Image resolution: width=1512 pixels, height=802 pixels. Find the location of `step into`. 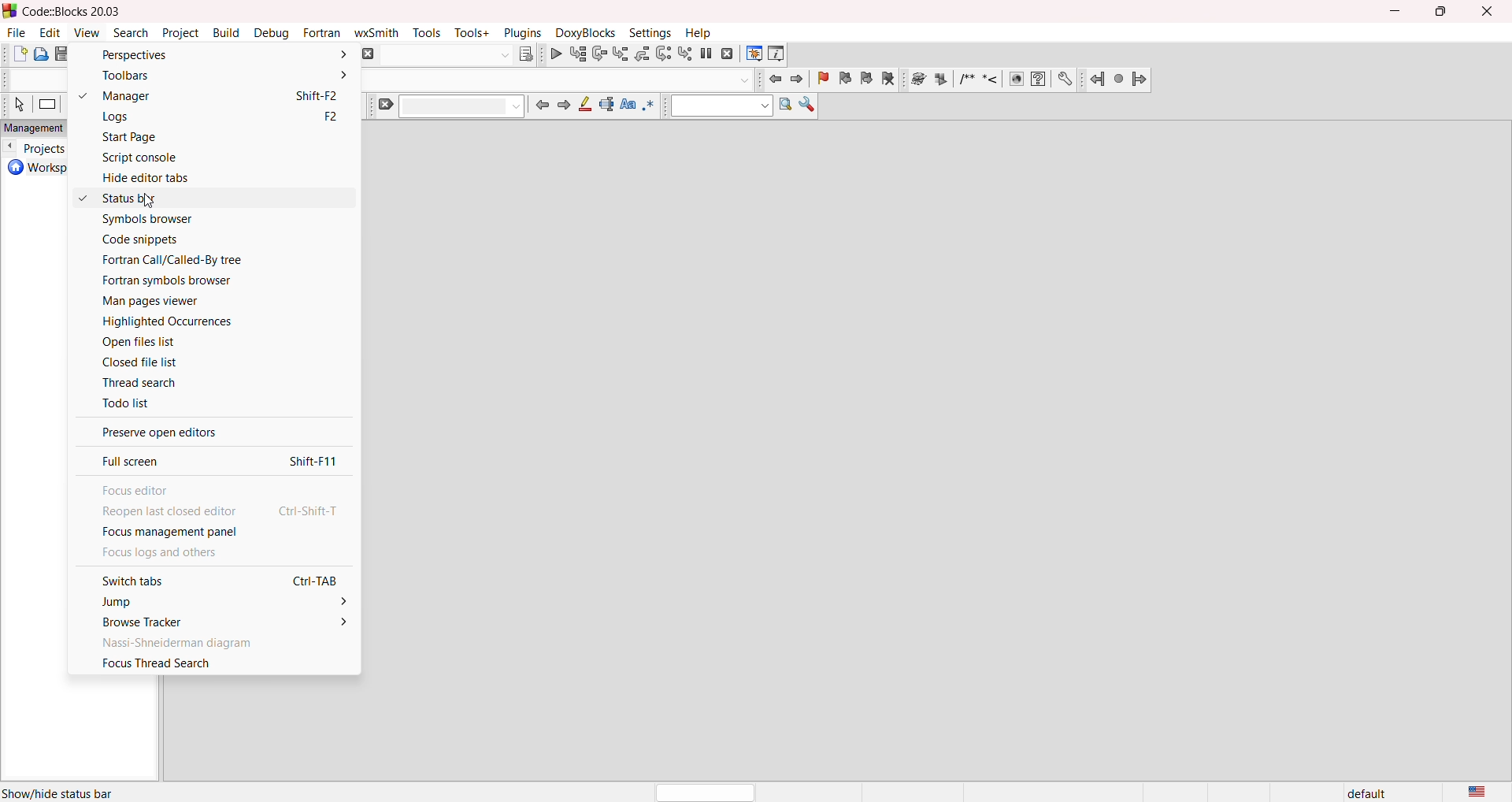

step into is located at coordinates (621, 55).